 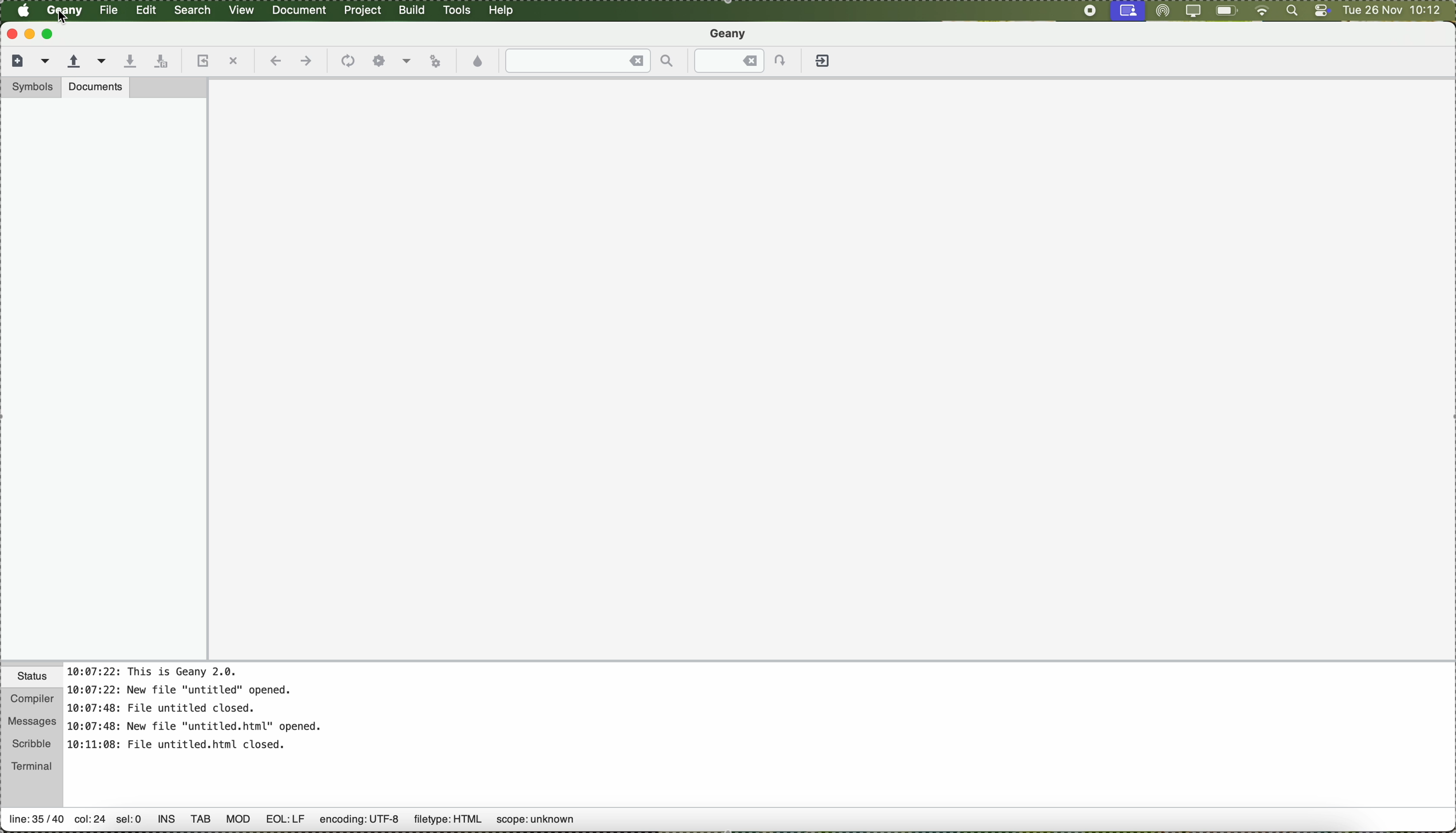 What do you see at coordinates (306, 62) in the screenshot?
I see `navigate foward a location` at bounding box center [306, 62].